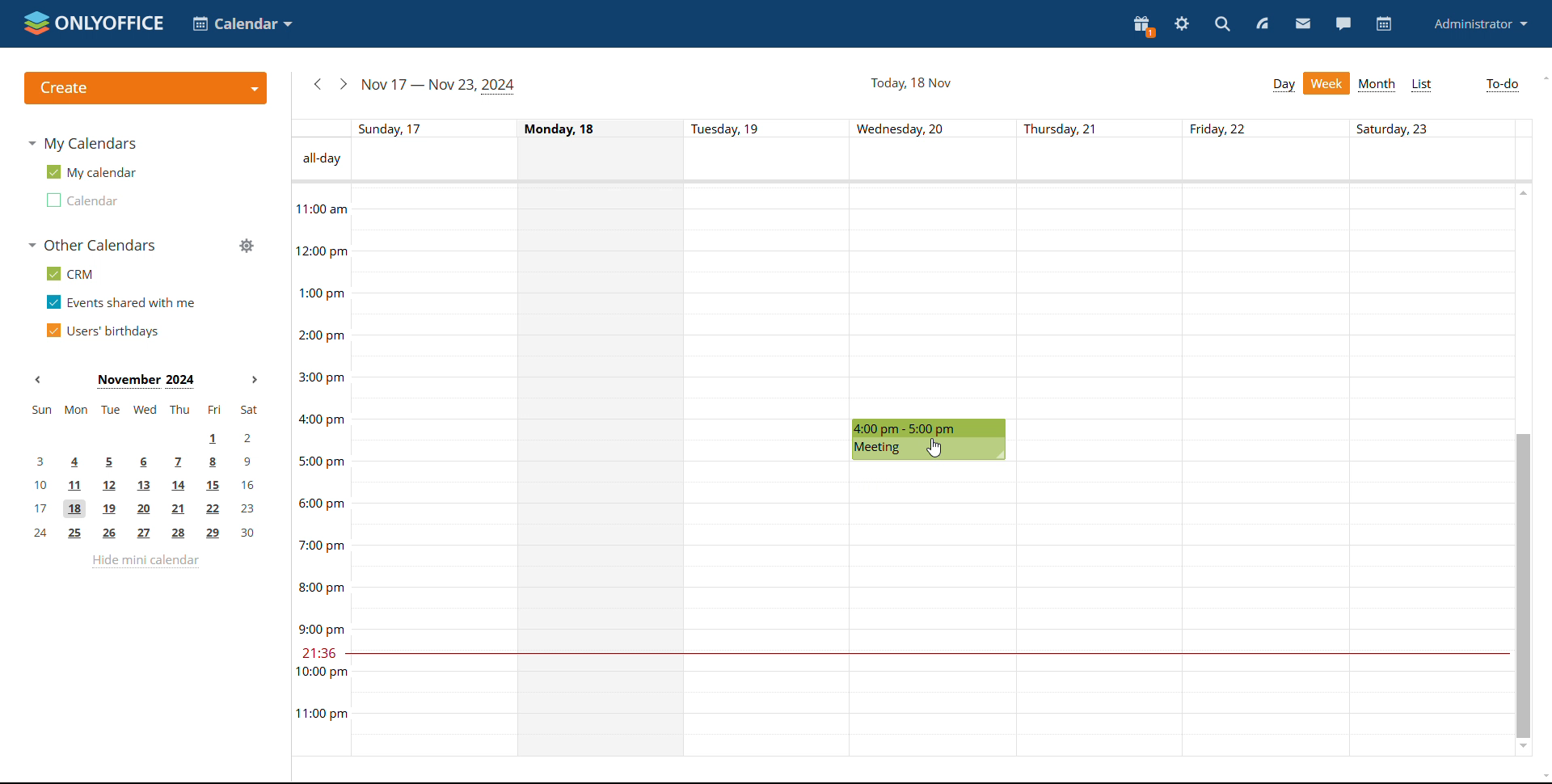 This screenshot has width=1552, height=784. Describe the element at coordinates (121, 301) in the screenshot. I see `events shared with me` at that location.